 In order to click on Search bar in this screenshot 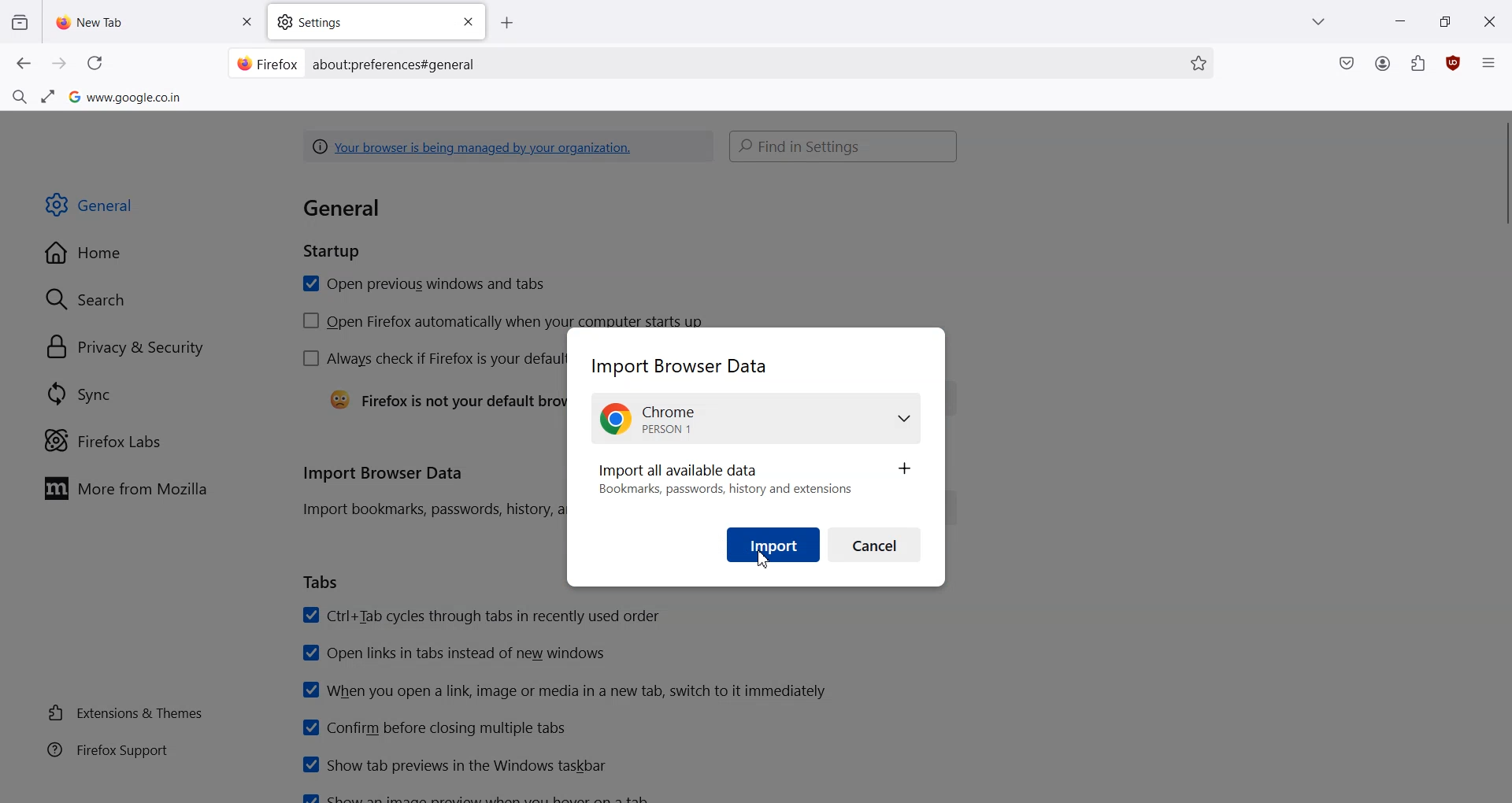, I will do `click(845, 147)`.